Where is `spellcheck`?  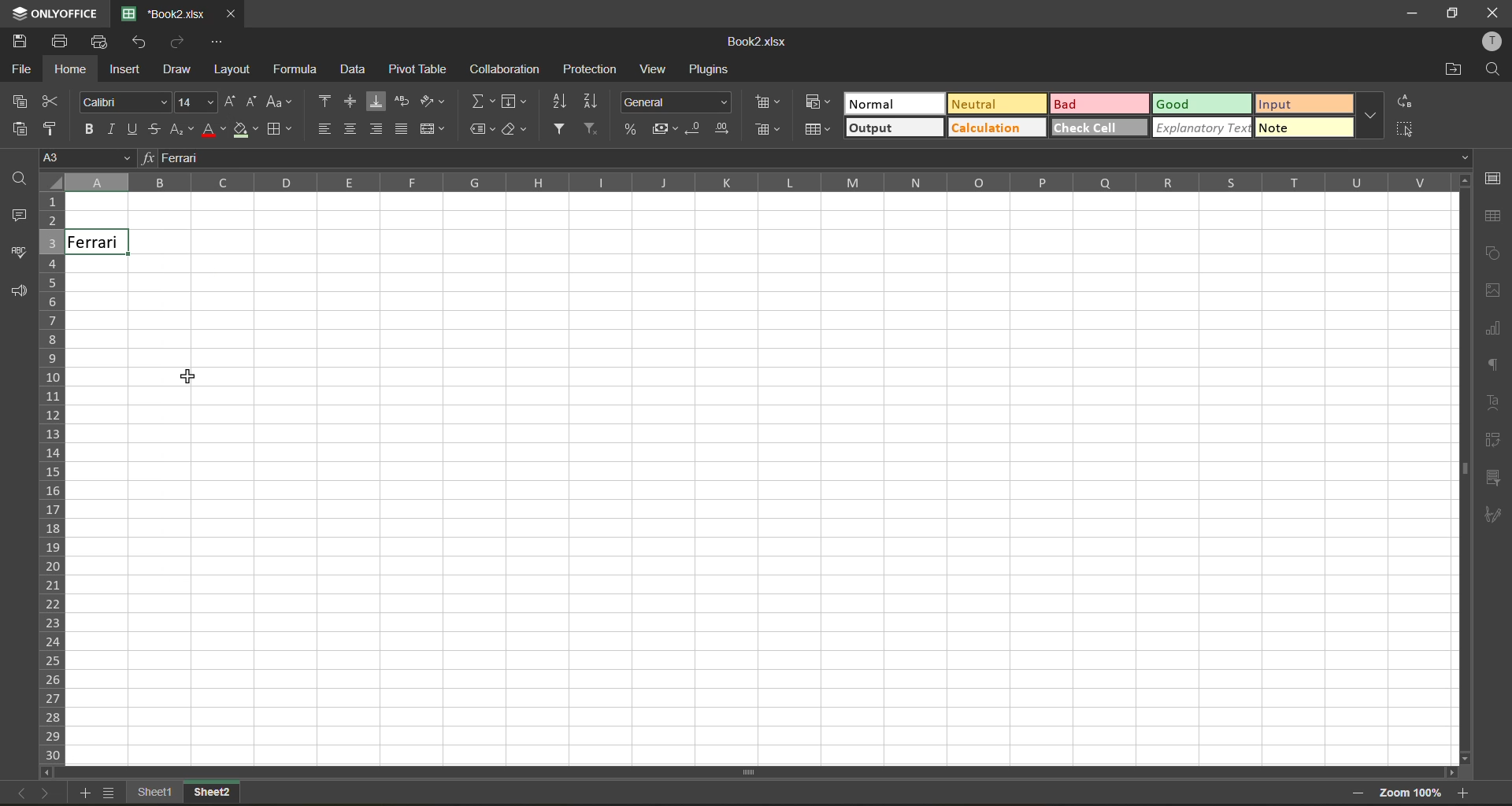 spellcheck is located at coordinates (17, 255).